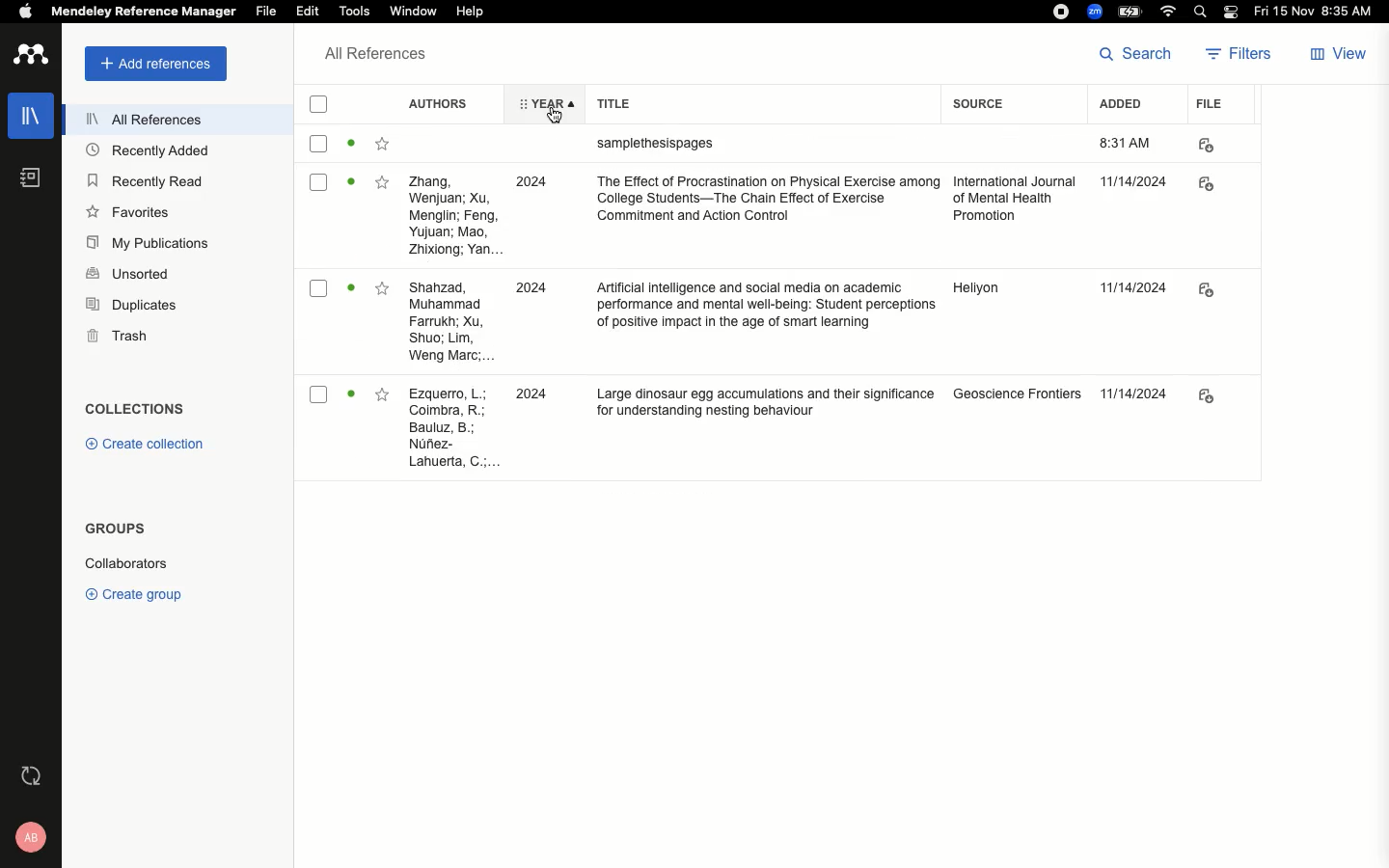  I want to click on titlle , so click(761, 202).